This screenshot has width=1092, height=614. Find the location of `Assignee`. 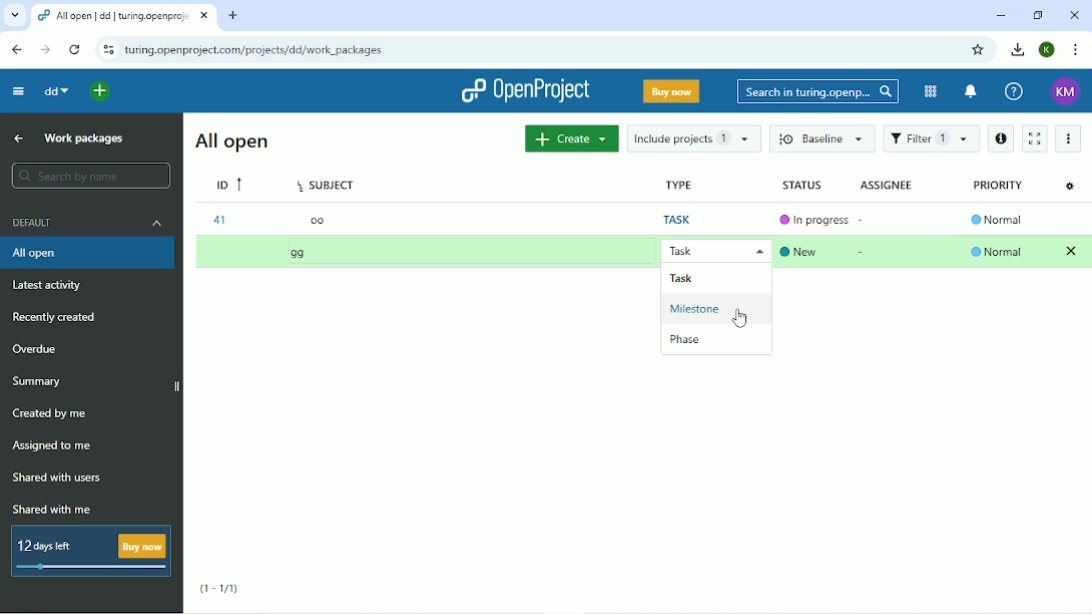

Assignee is located at coordinates (887, 183).